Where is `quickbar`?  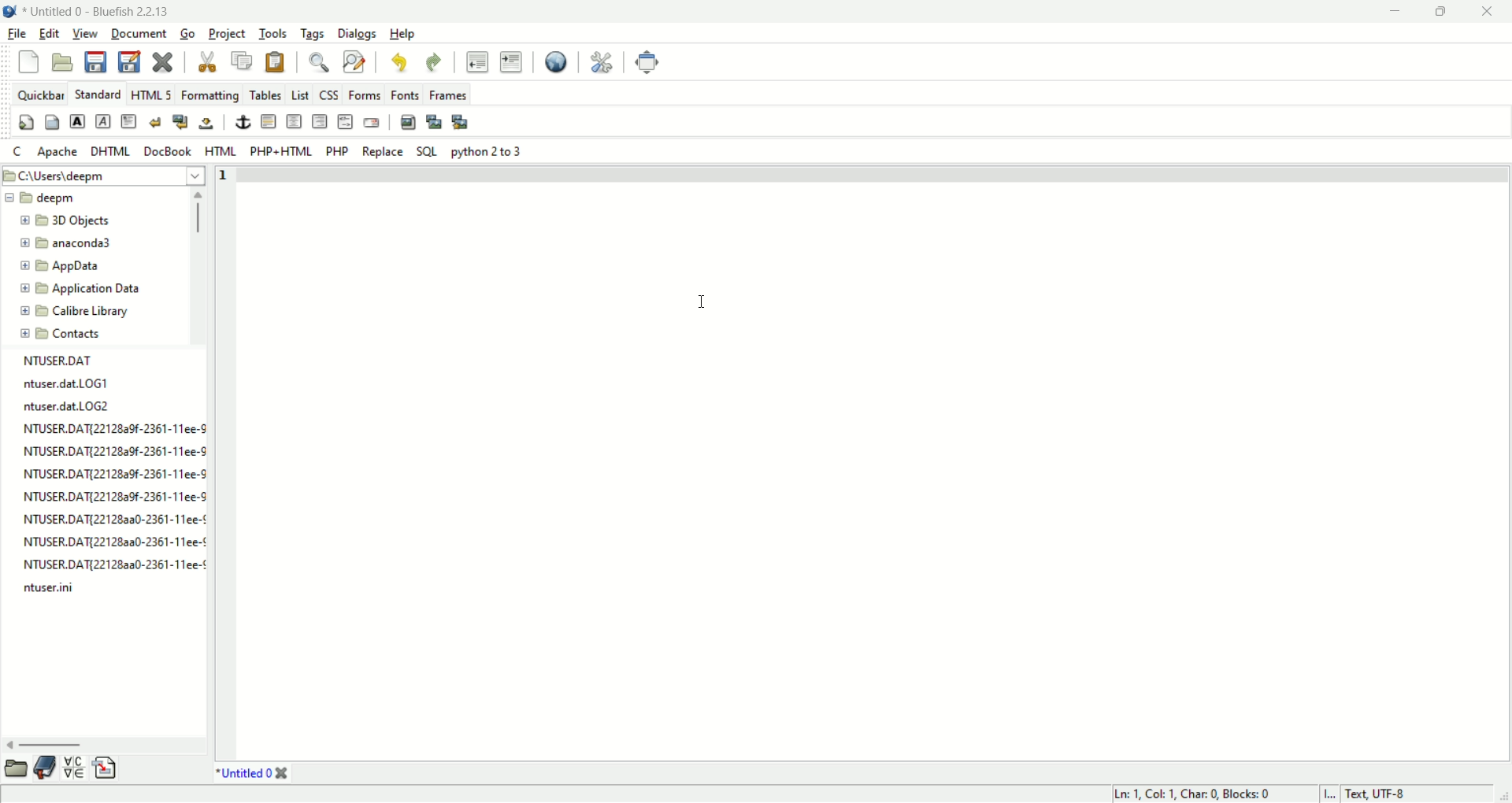 quickbar is located at coordinates (40, 94).